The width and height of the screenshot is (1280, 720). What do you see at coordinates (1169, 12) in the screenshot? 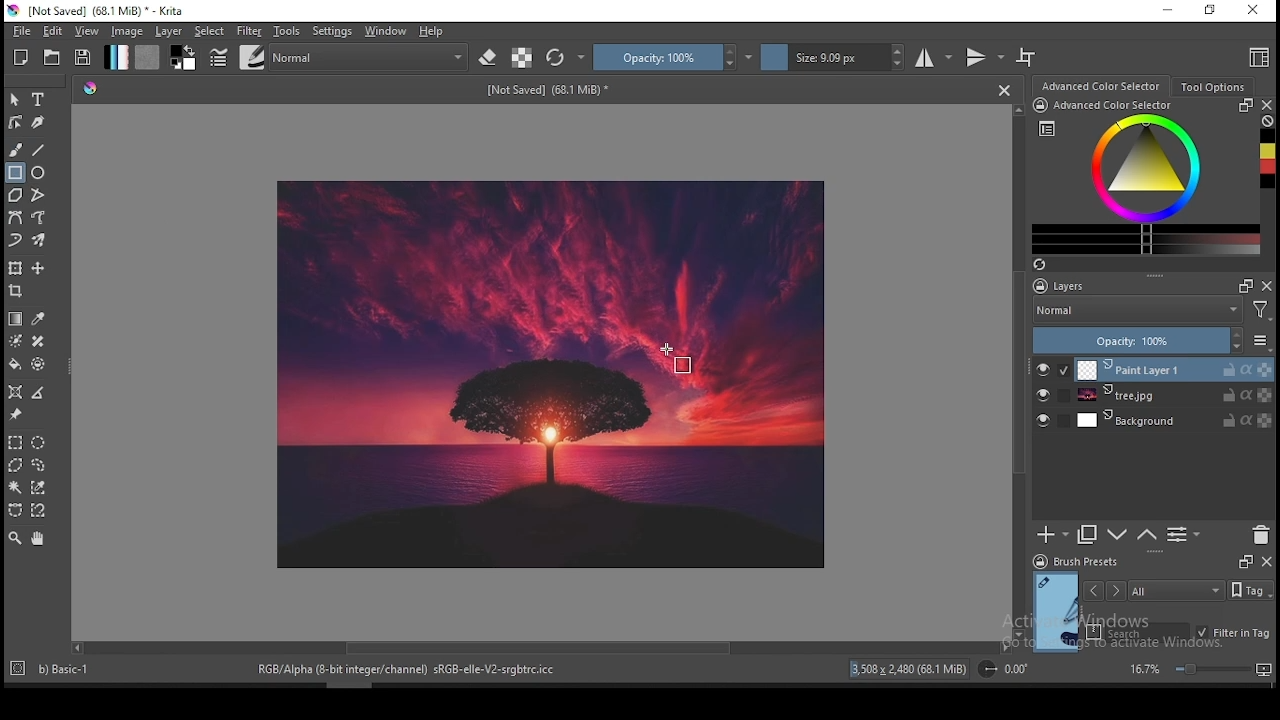
I see `minimize` at bounding box center [1169, 12].